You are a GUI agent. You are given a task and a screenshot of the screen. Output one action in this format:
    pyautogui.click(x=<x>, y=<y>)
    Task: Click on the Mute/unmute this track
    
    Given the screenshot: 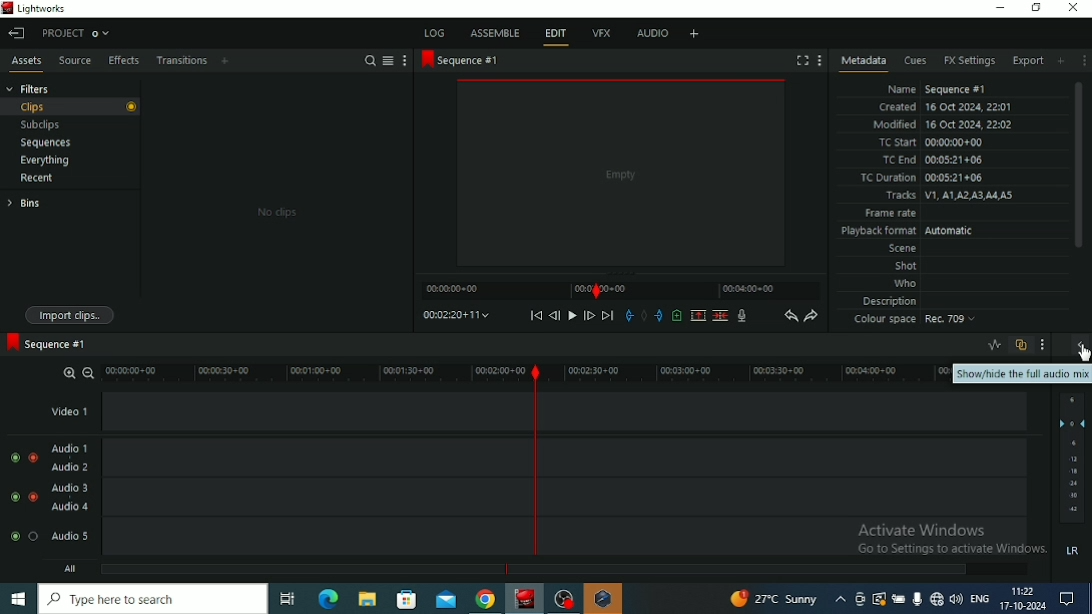 What is the action you would take?
    pyautogui.click(x=12, y=536)
    